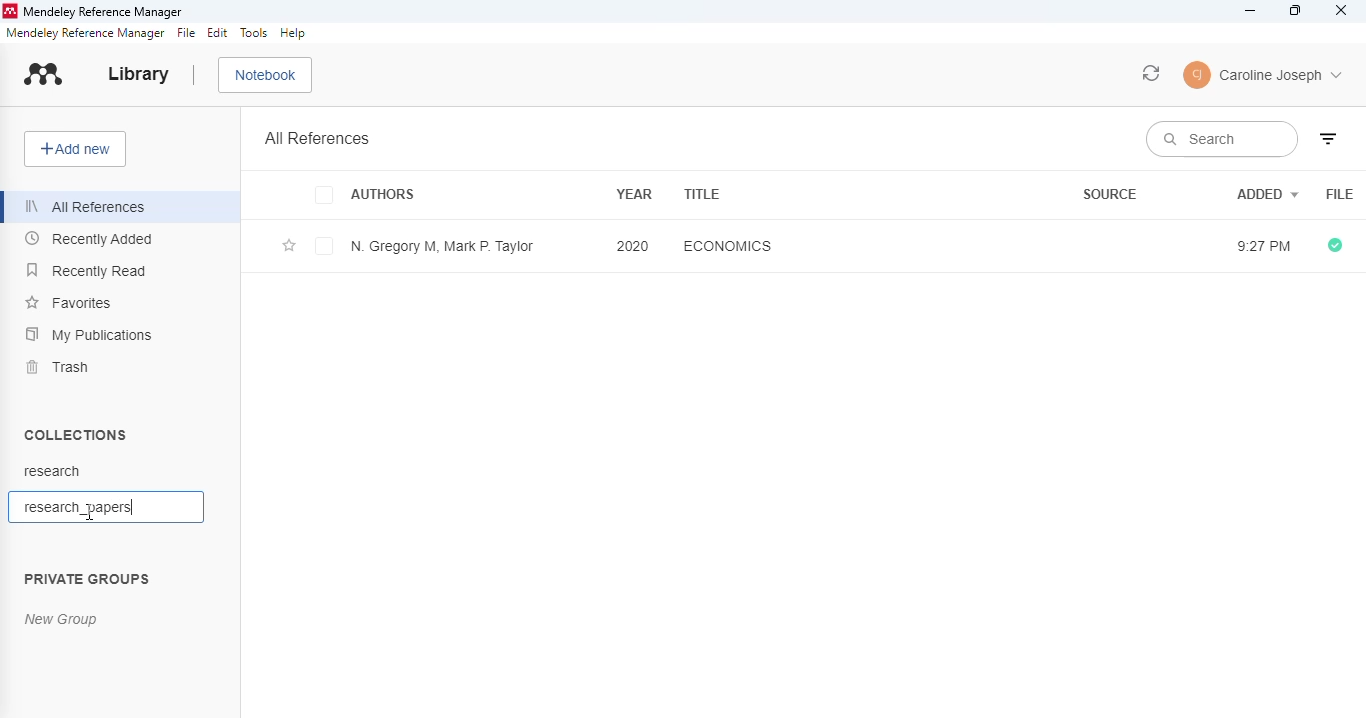 This screenshot has height=718, width=1366. What do you see at coordinates (266, 76) in the screenshot?
I see `notebook` at bounding box center [266, 76].